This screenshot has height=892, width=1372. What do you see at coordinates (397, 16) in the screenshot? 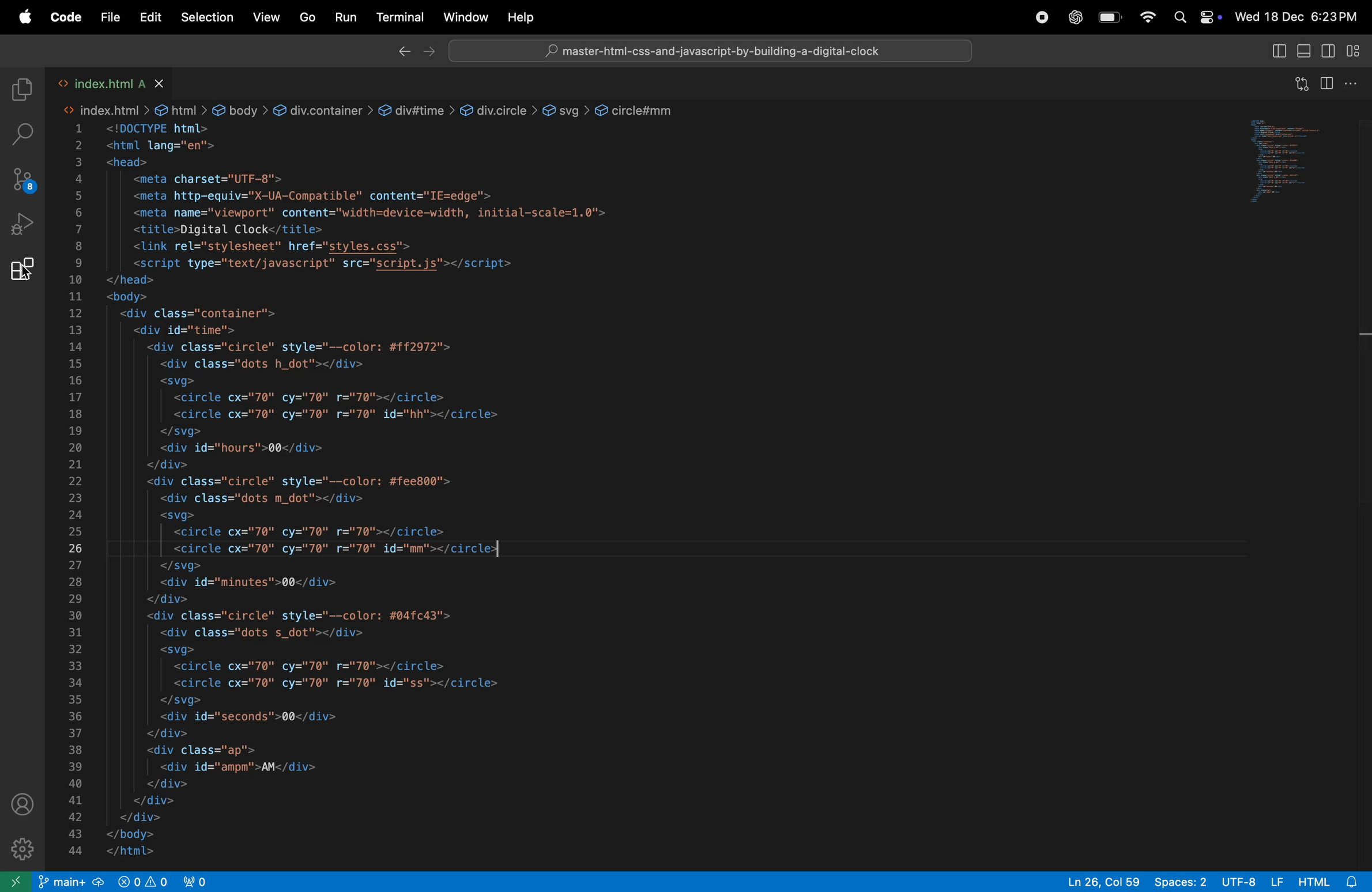
I see `terminal` at bounding box center [397, 16].